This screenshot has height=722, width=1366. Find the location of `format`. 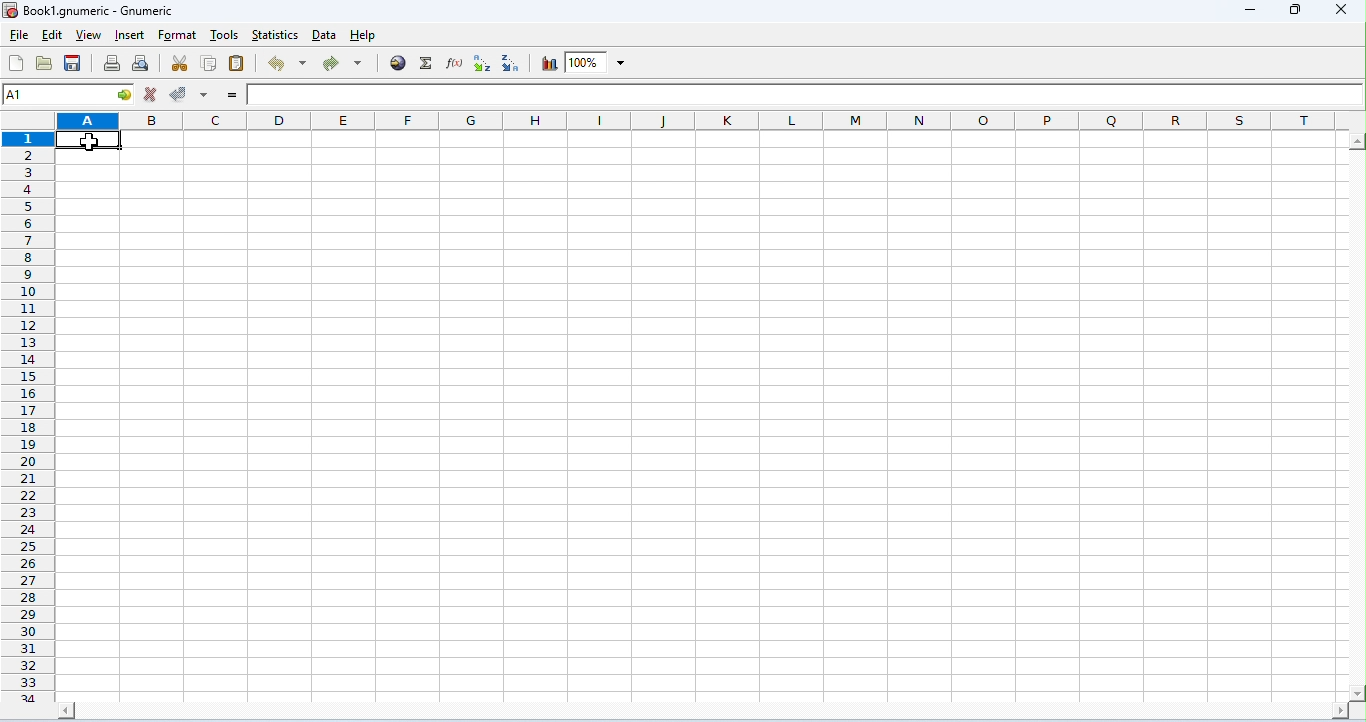

format is located at coordinates (178, 36).